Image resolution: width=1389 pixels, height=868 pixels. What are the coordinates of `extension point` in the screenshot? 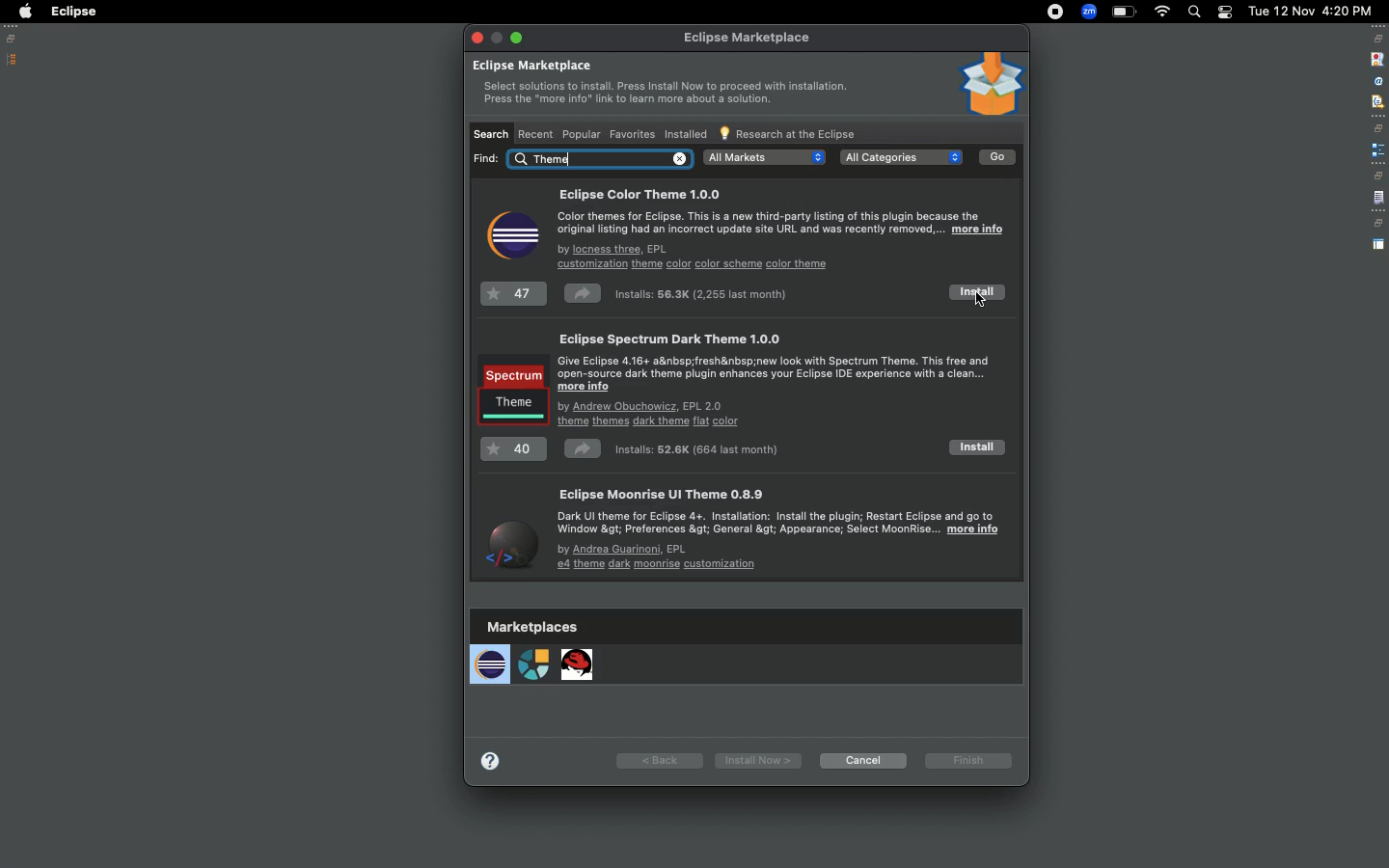 It's located at (1377, 149).